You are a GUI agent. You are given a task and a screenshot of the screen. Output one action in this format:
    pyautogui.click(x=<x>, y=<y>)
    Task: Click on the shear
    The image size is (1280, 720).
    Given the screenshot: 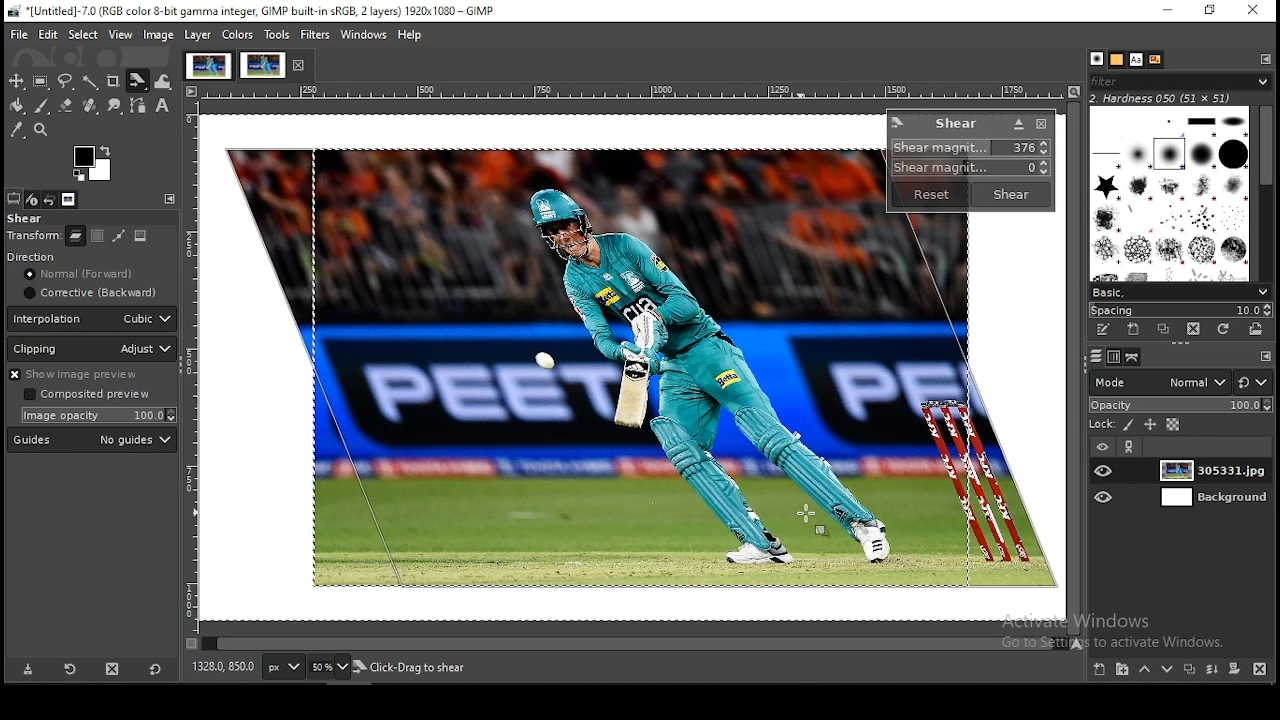 What is the action you would take?
    pyautogui.click(x=956, y=123)
    